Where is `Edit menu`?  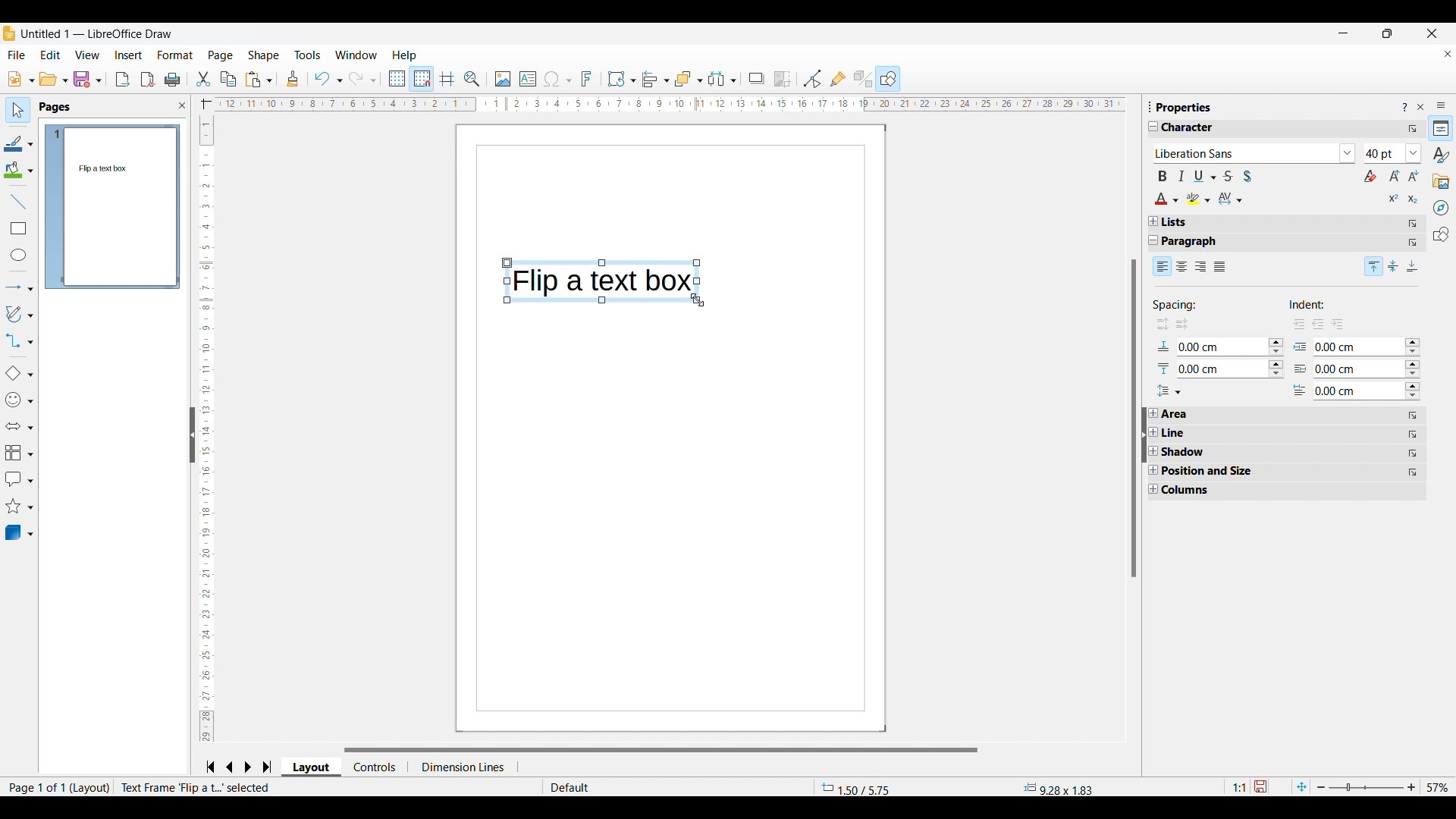 Edit menu is located at coordinates (51, 55).